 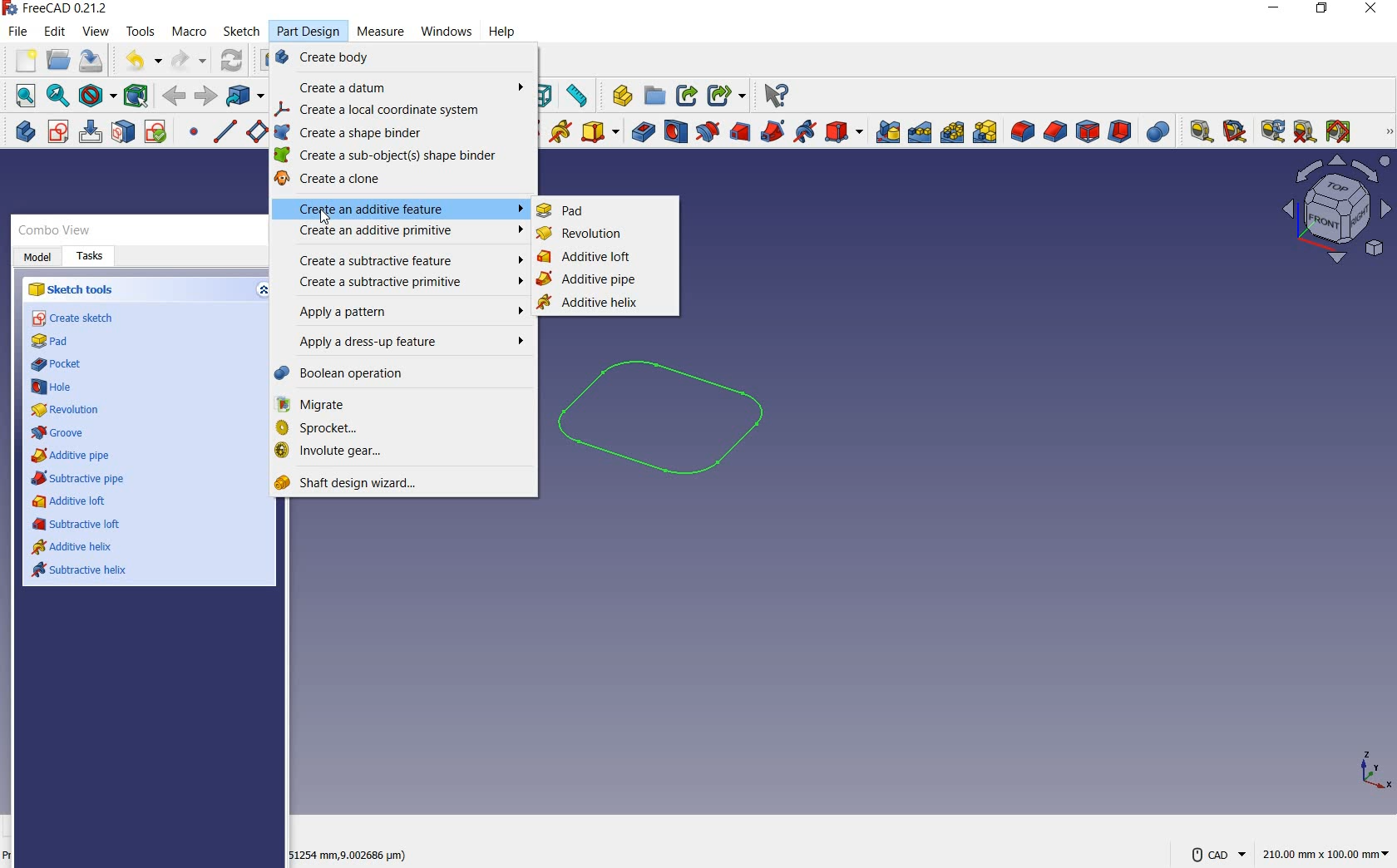 What do you see at coordinates (887, 134) in the screenshot?
I see `mirrored` at bounding box center [887, 134].